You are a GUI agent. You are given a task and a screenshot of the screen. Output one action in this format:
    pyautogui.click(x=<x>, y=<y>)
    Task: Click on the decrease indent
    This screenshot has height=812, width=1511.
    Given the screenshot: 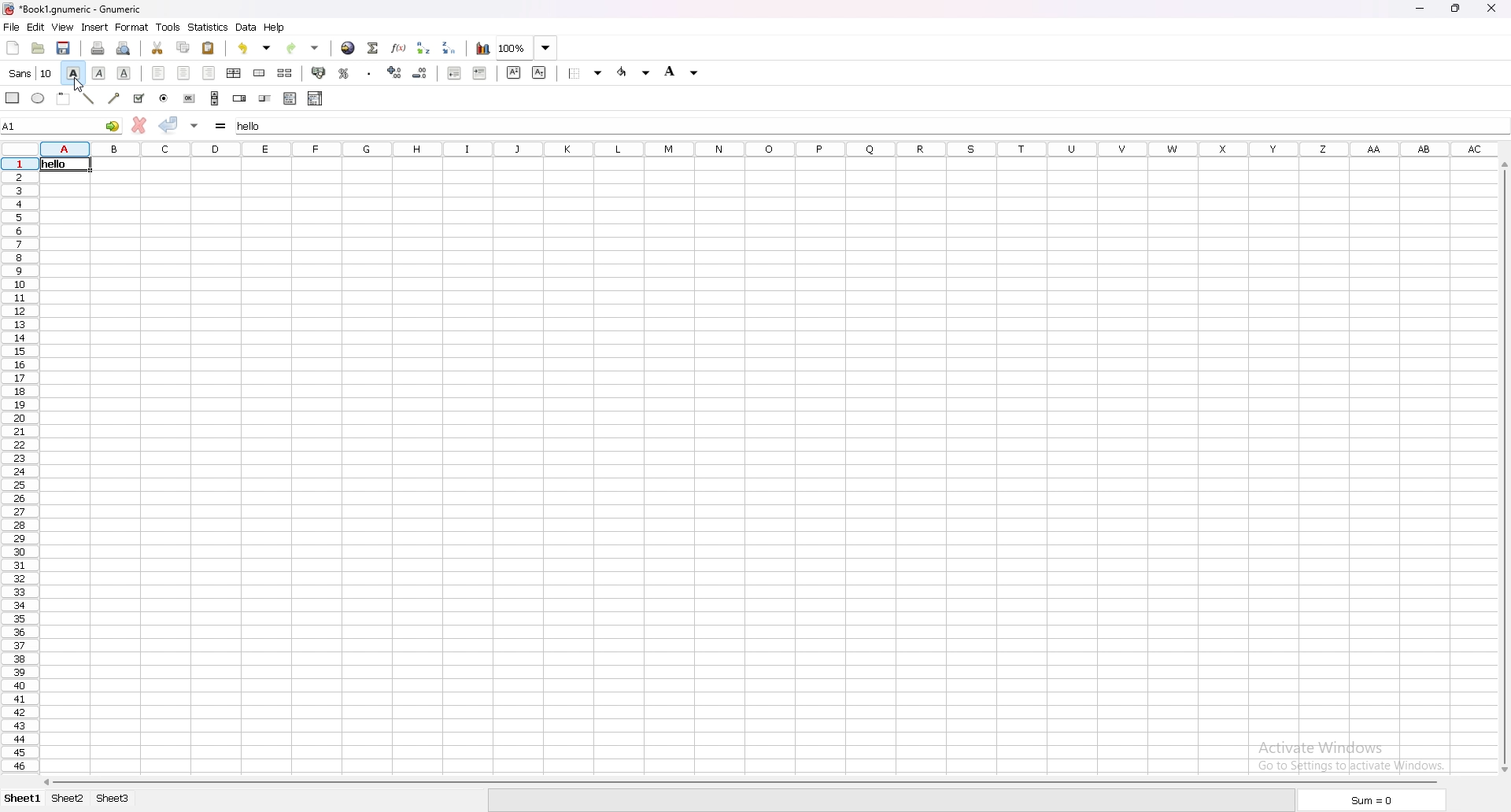 What is the action you would take?
    pyautogui.click(x=455, y=72)
    